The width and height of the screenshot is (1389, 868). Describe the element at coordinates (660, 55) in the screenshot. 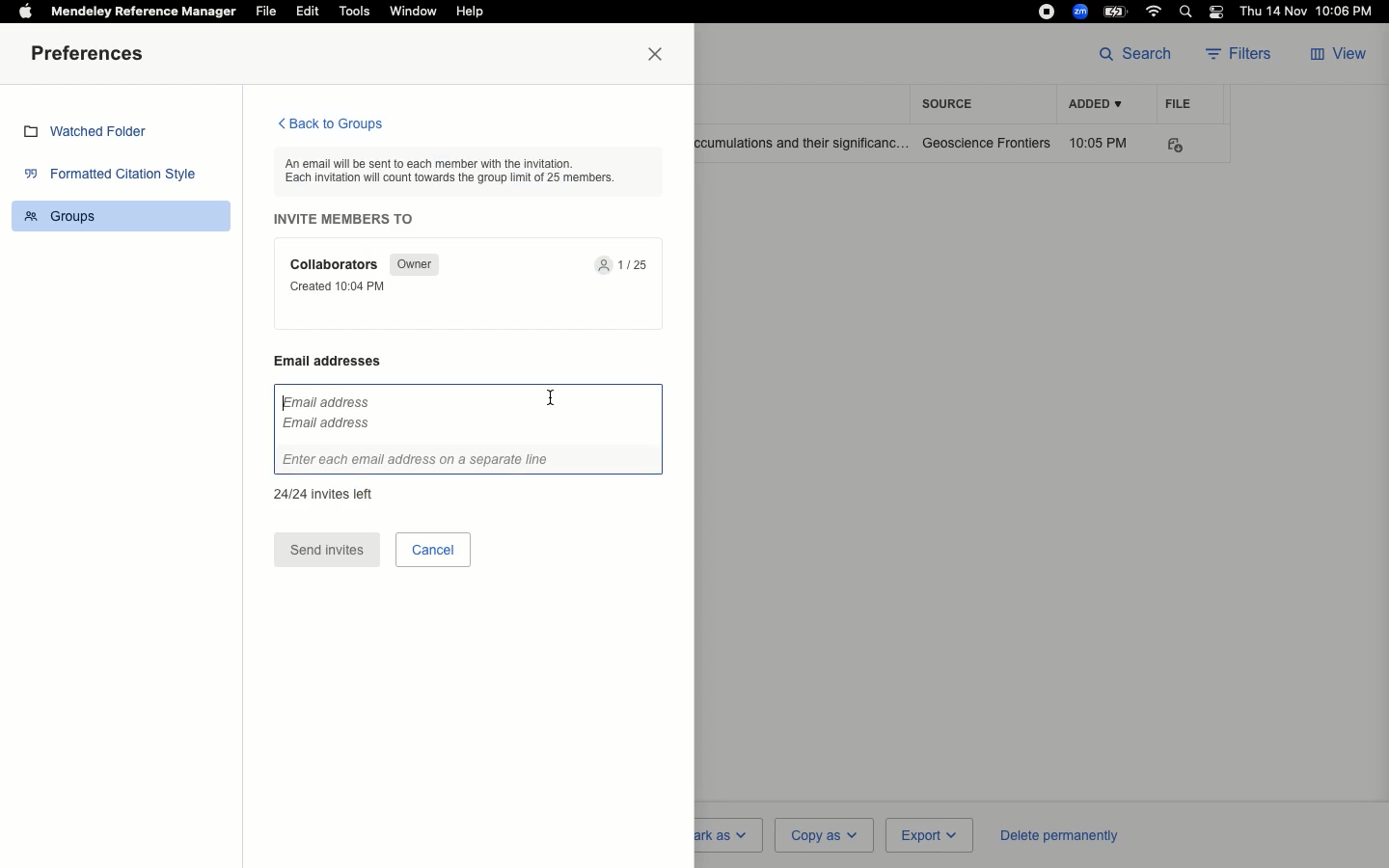

I see `Close` at that location.